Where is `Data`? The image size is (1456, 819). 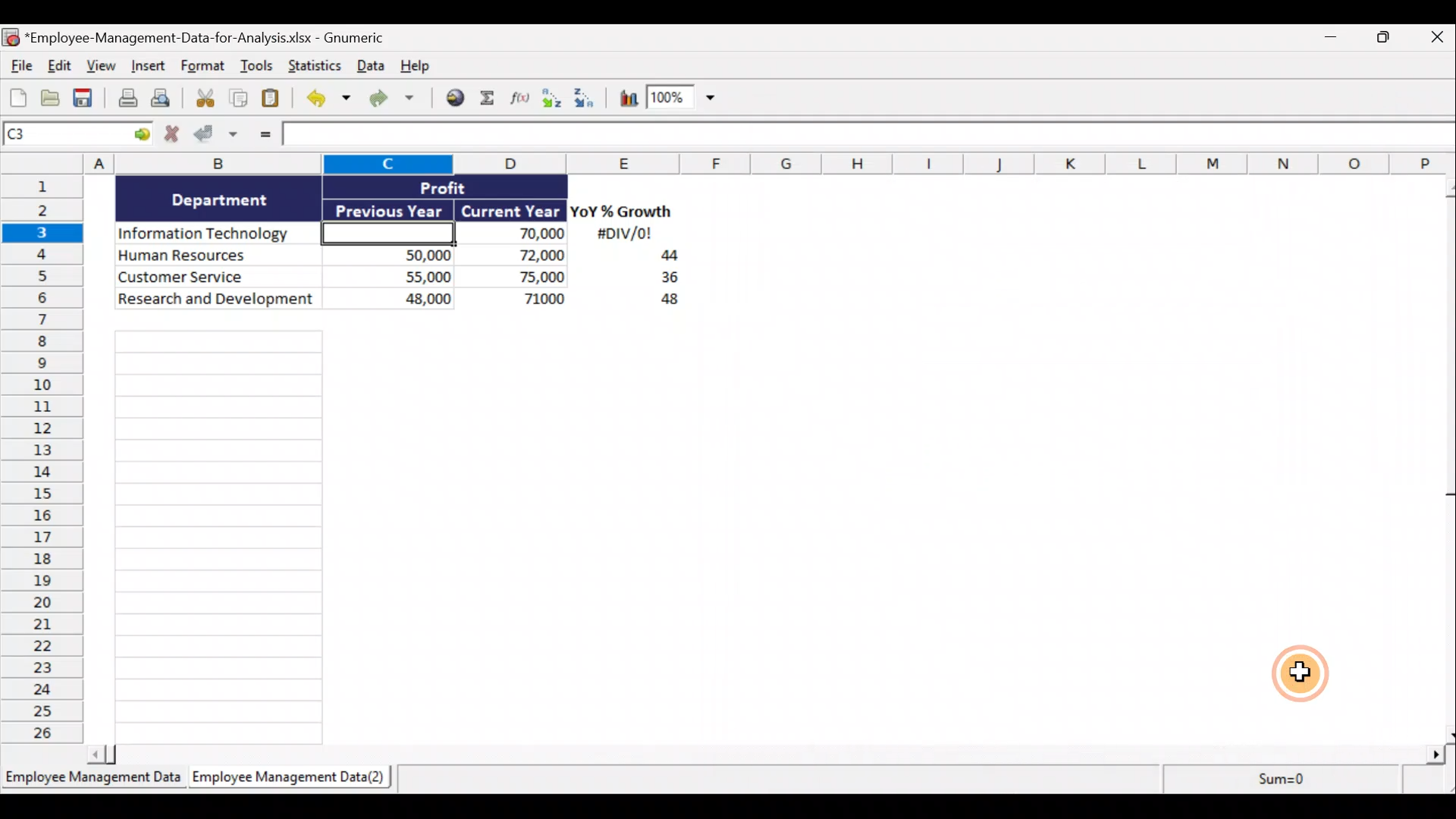
Data is located at coordinates (369, 65).